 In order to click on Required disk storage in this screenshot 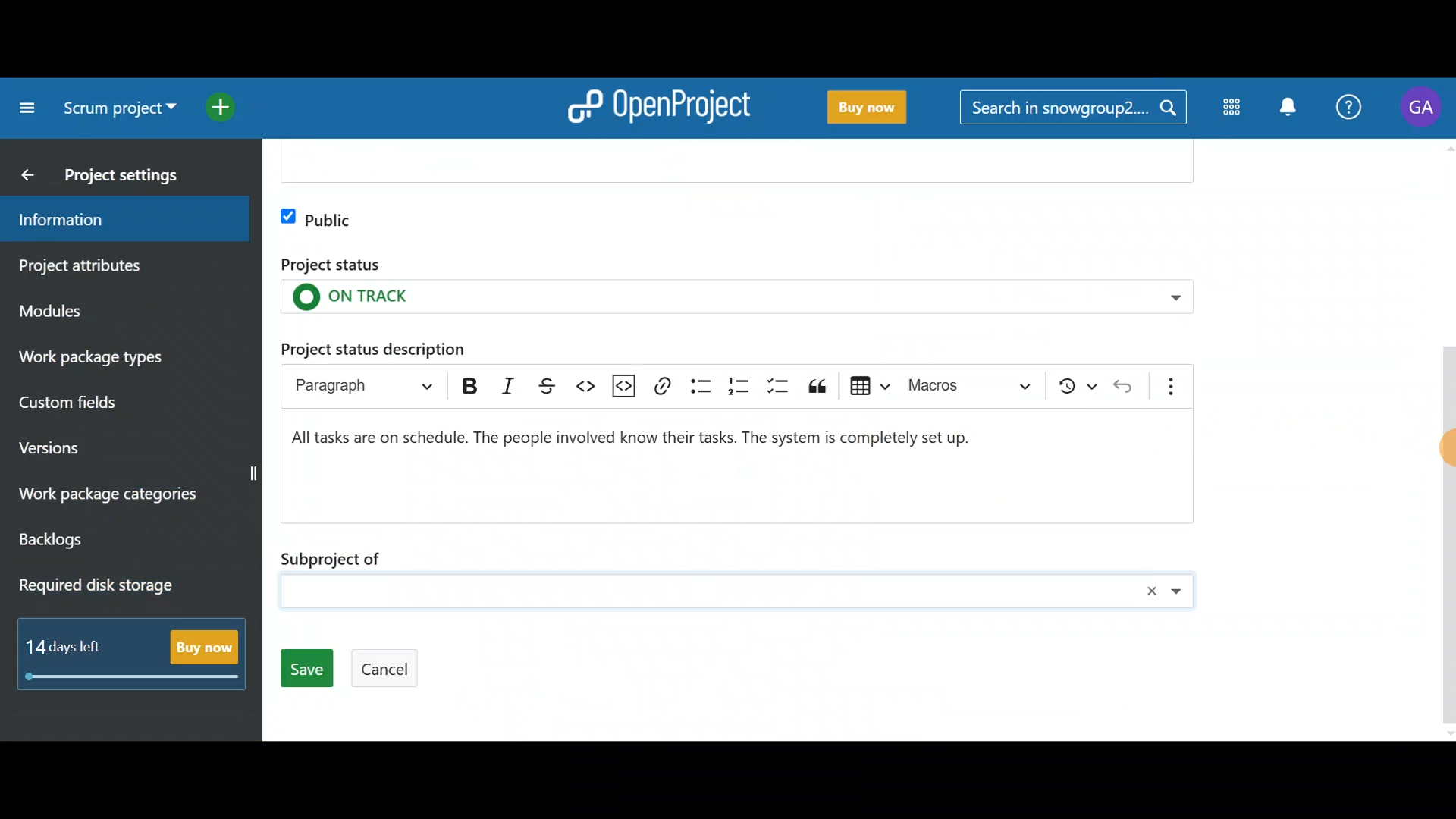, I will do `click(127, 587)`.